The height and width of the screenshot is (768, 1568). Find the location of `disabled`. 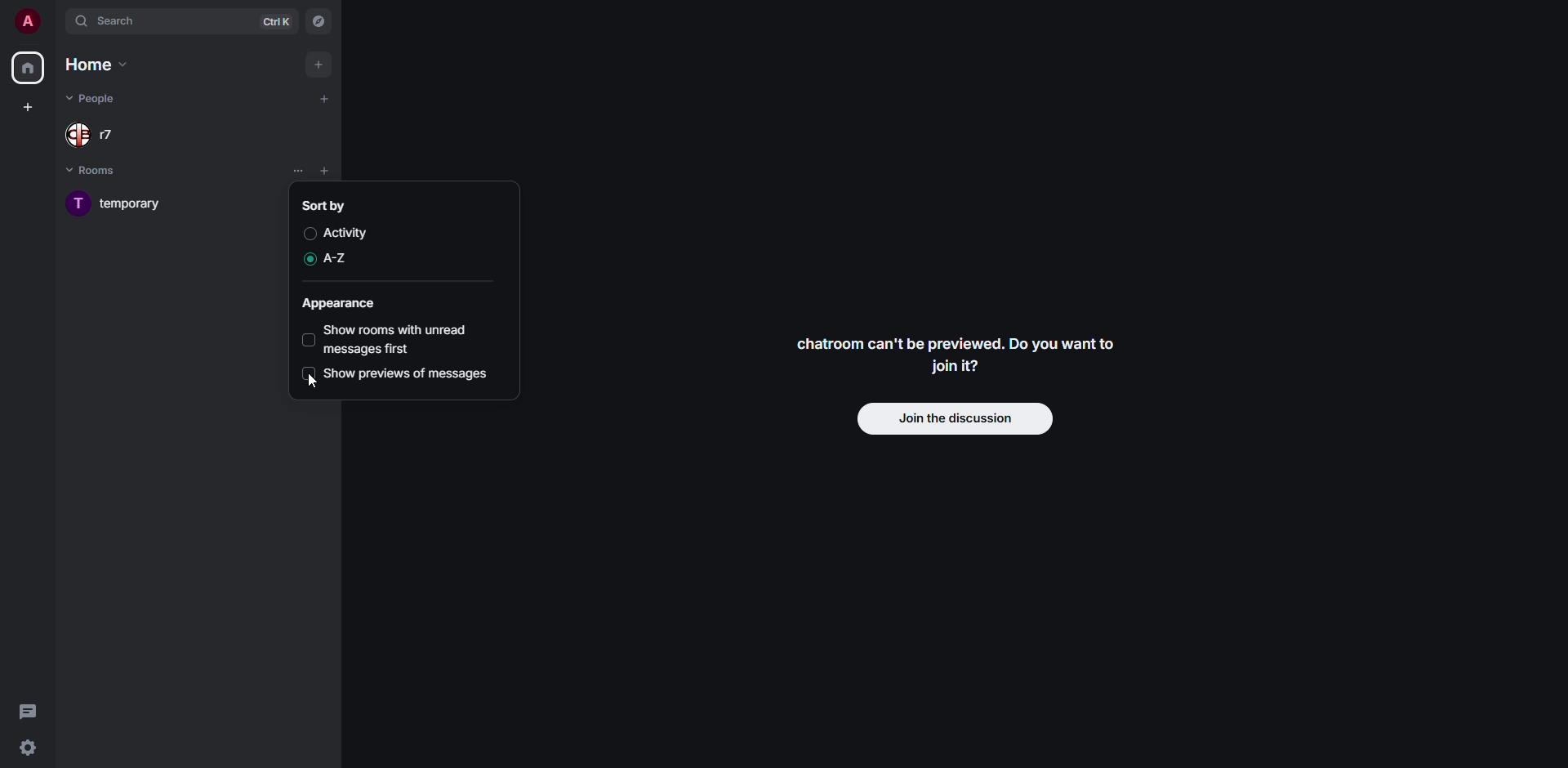

disabled is located at coordinates (309, 338).